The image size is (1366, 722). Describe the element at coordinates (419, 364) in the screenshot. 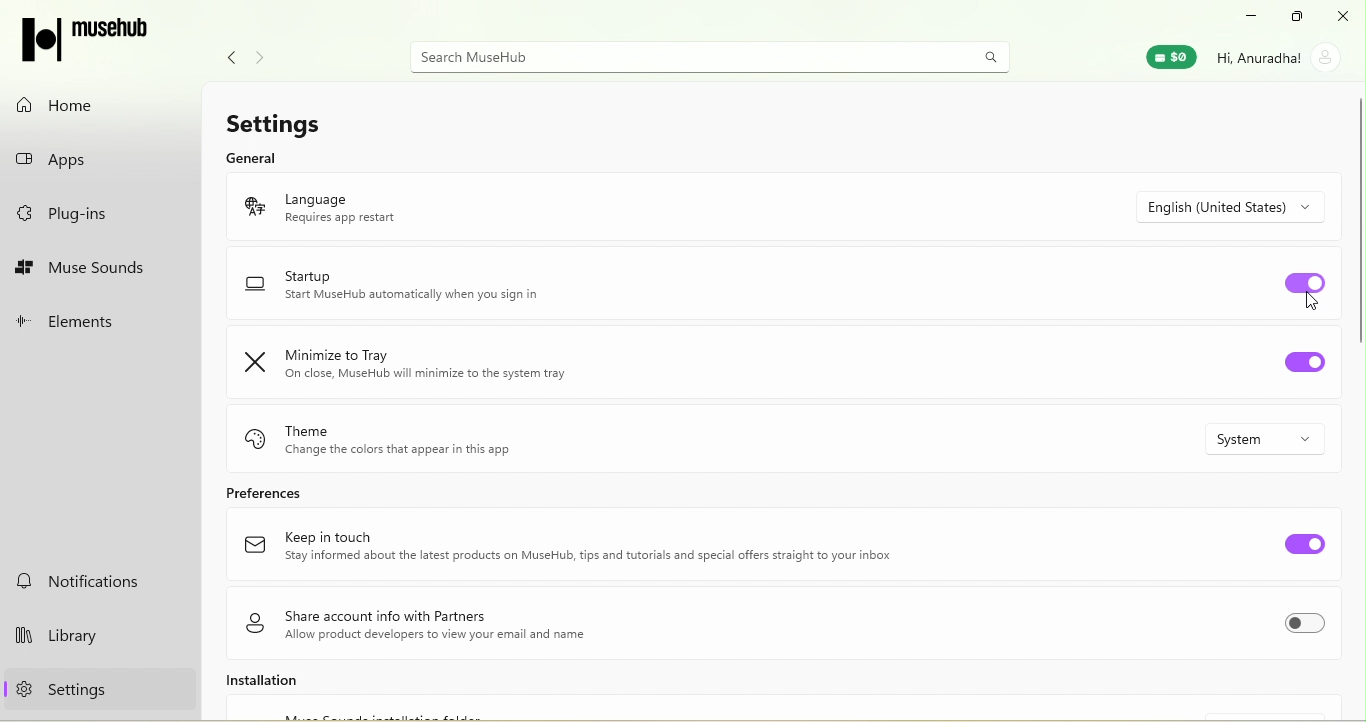

I see `Minimize to tray` at that location.